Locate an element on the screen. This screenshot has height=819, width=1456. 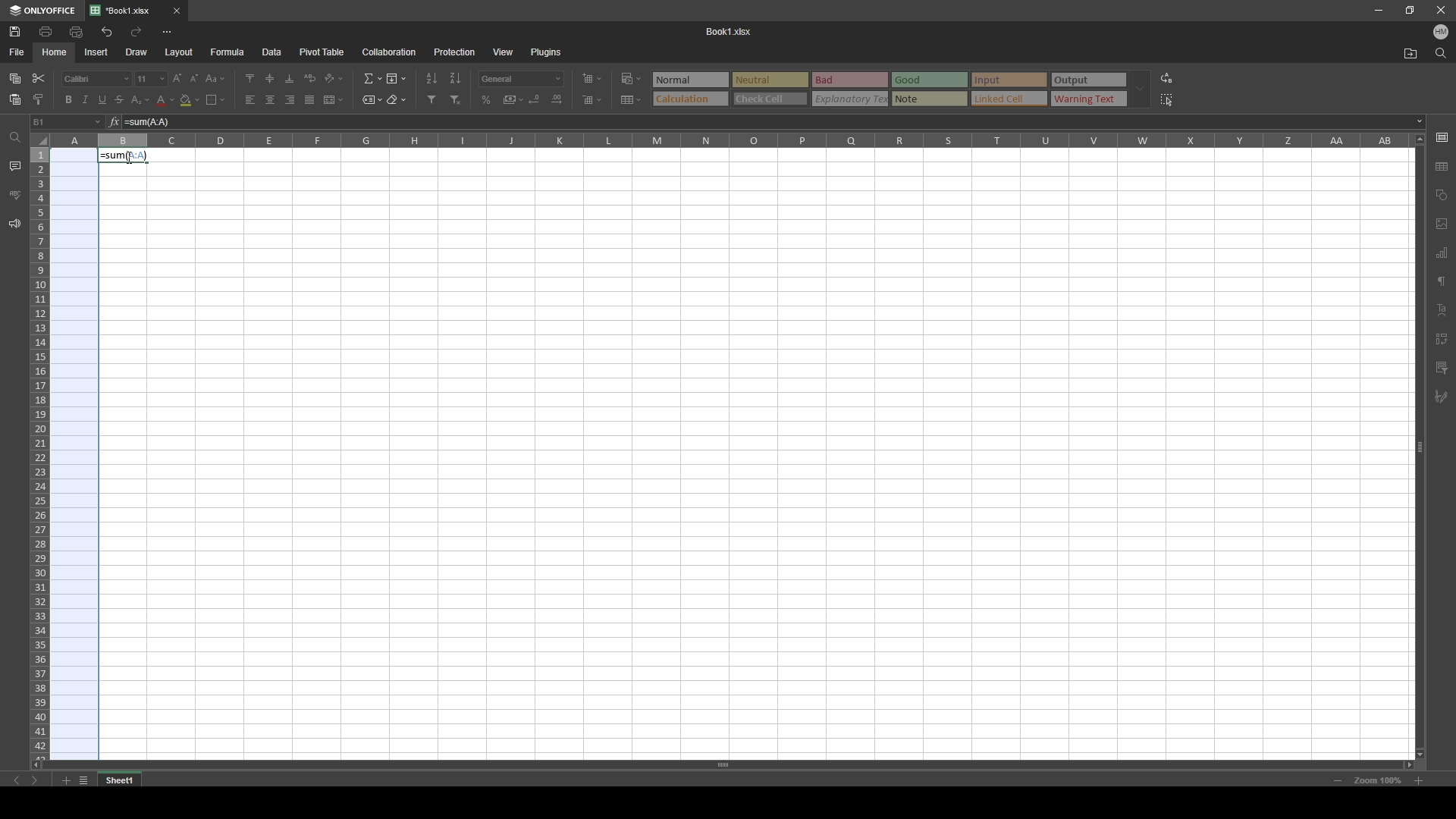
data is located at coordinates (271, 52).